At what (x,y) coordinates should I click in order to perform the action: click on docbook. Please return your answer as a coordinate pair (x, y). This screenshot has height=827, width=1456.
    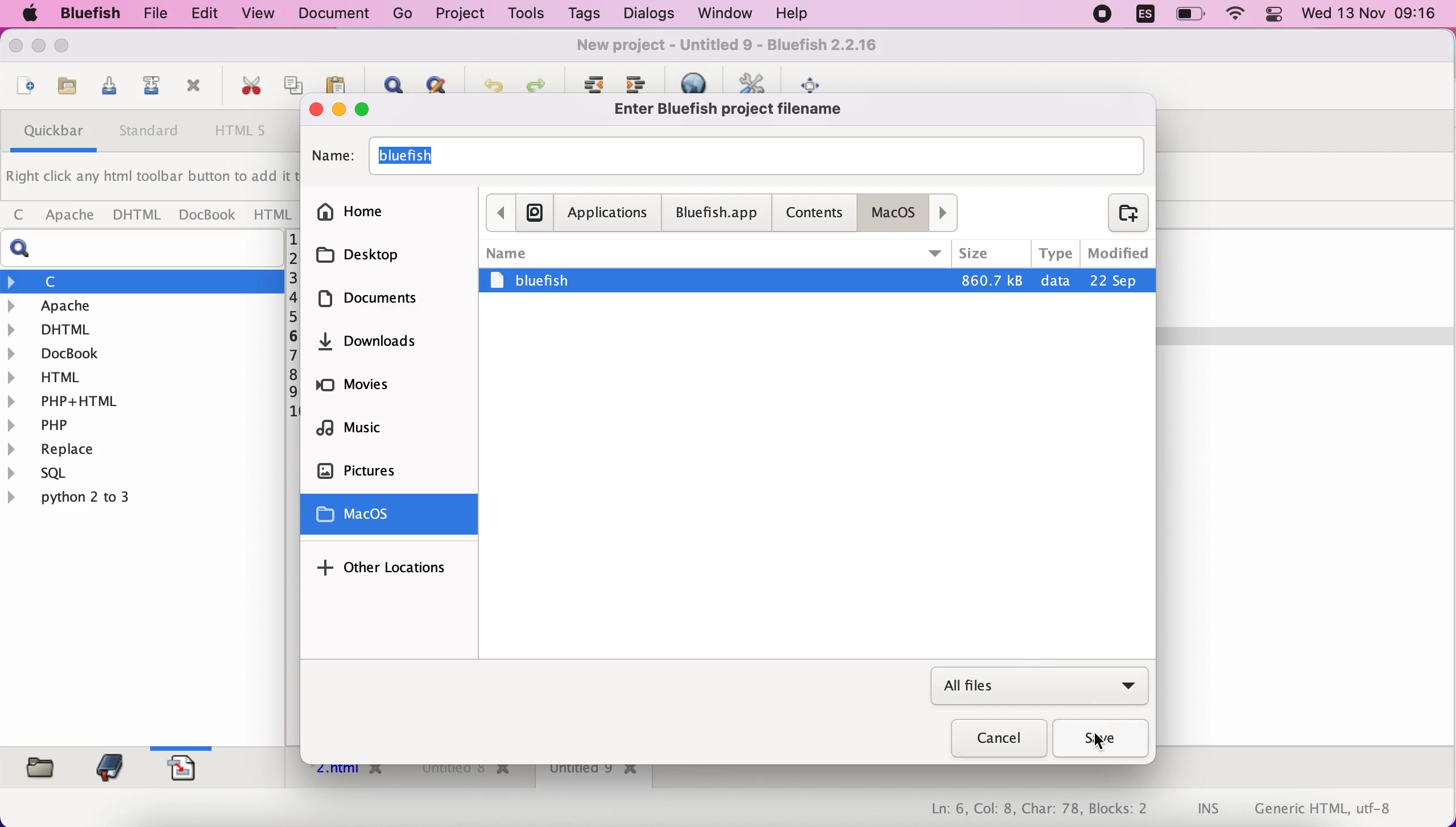
    Looking at the image, I should click on (208, 217).